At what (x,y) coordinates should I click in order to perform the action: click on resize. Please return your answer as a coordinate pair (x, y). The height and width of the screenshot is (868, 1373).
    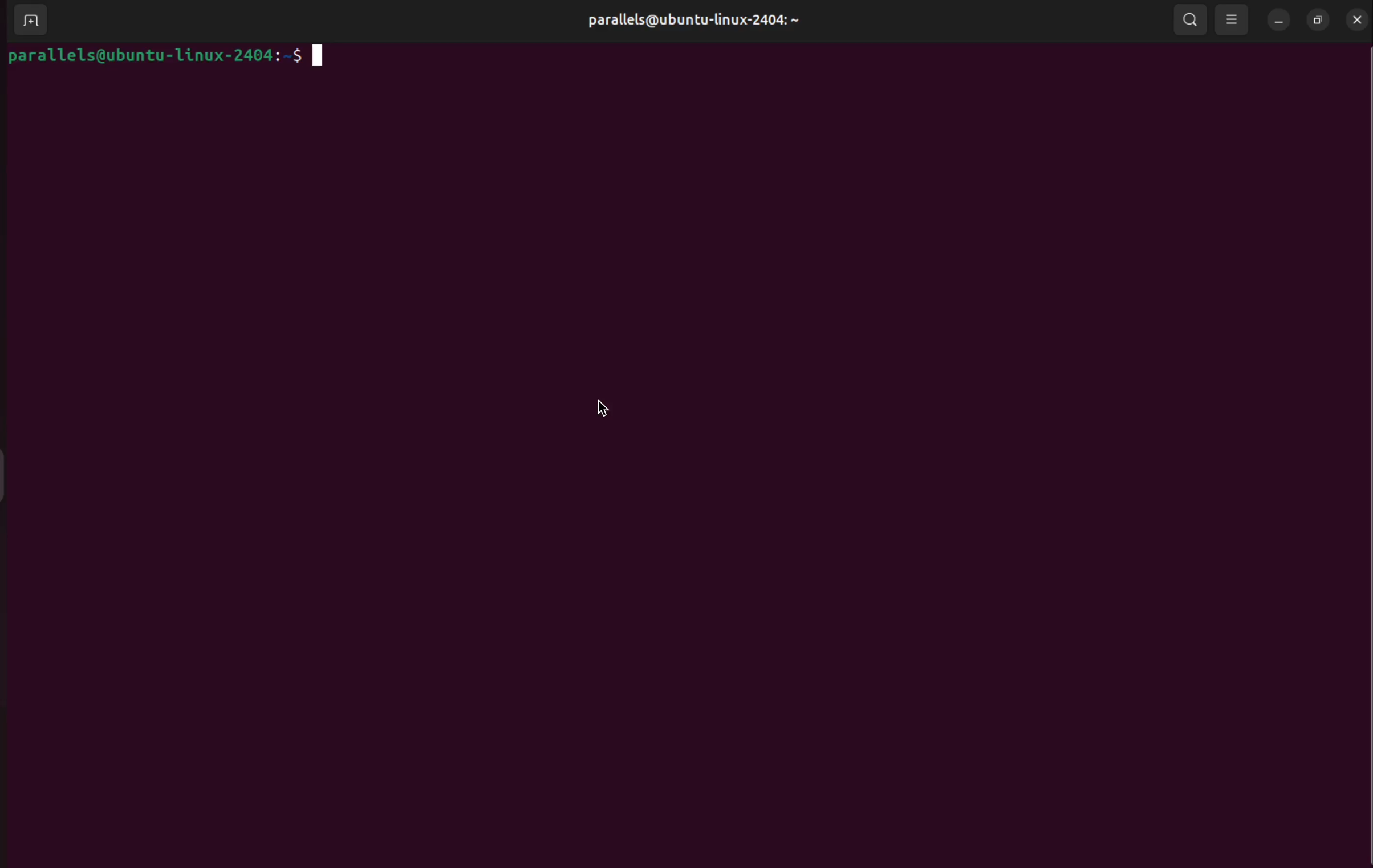
    Looking at the image, I should click on (1318, 19).